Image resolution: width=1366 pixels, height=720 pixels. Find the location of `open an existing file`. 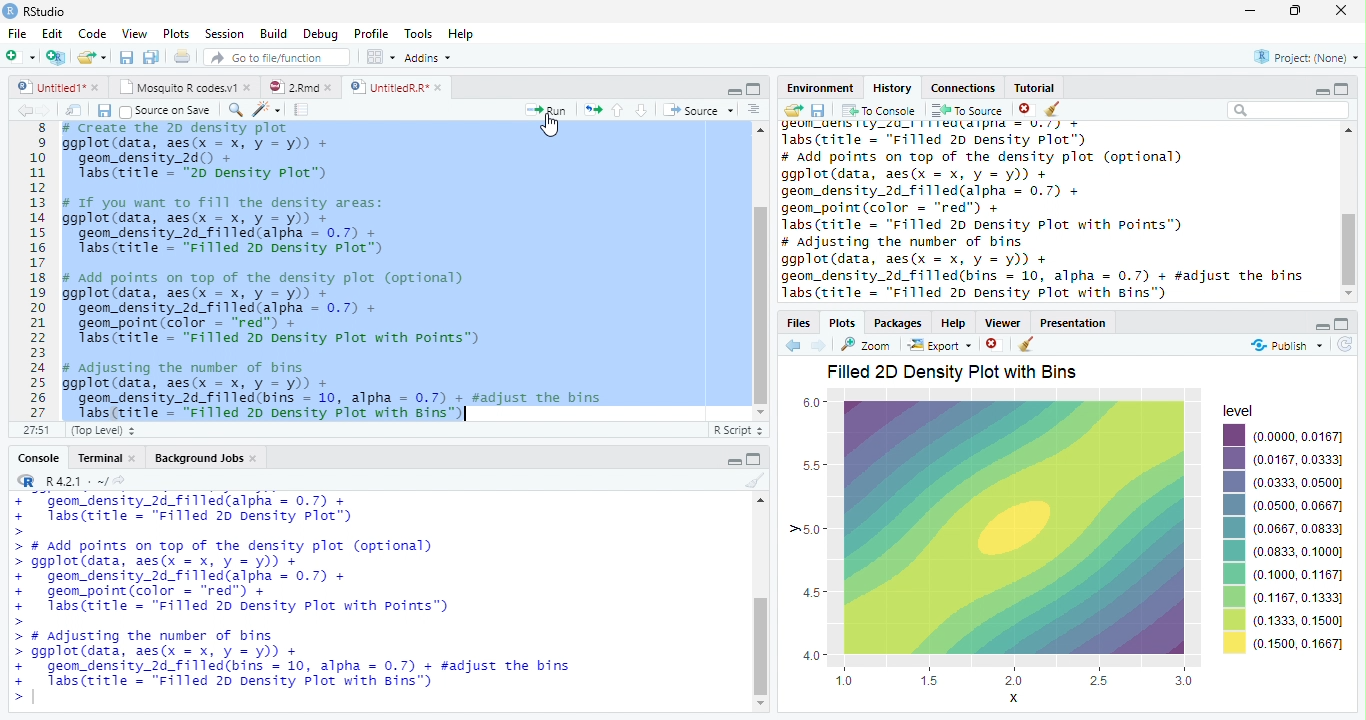

open an existing file is located at coordinates (90, 57).